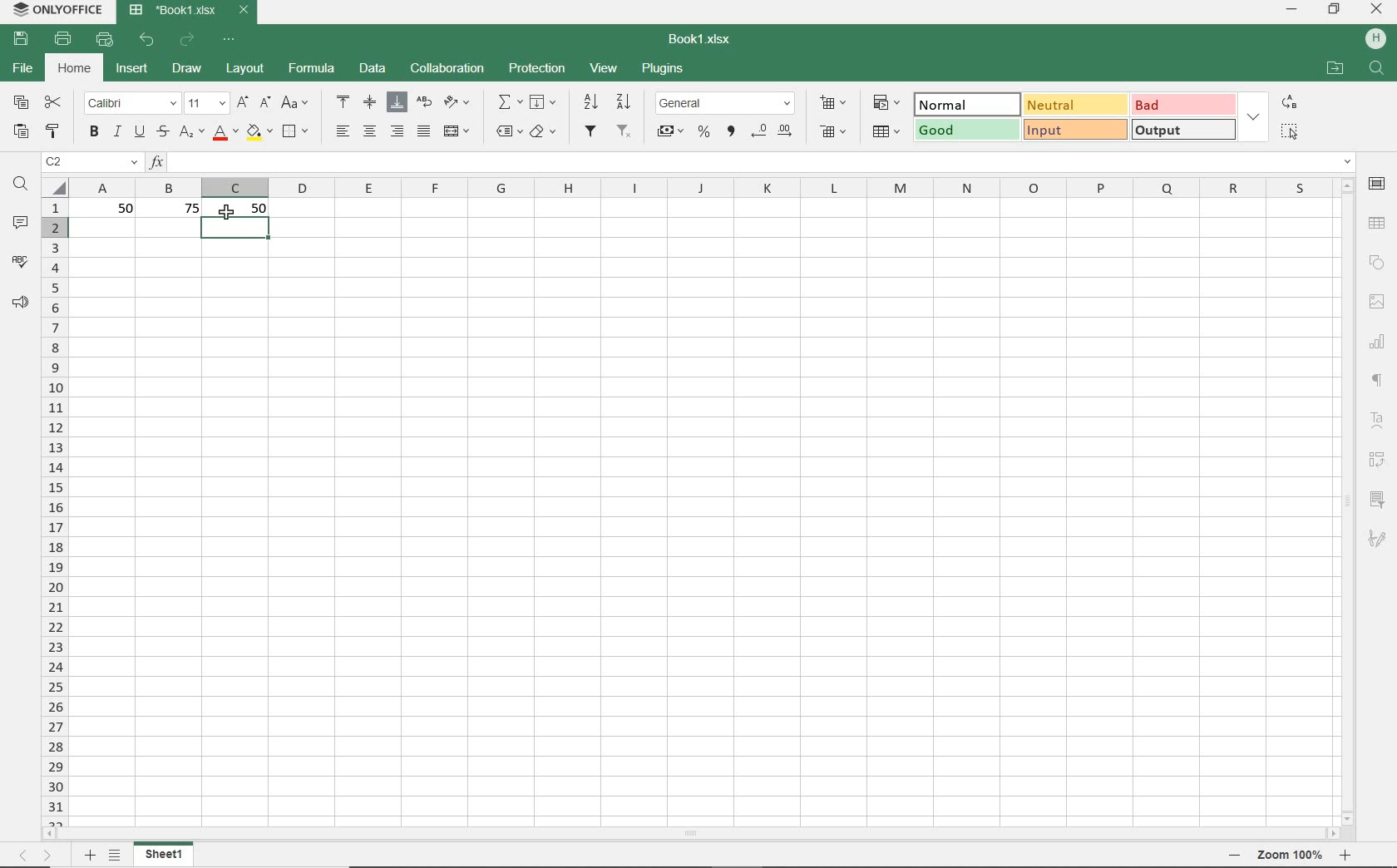  Describe the element at coordinates (1373, 37) in the screenshot. I see `HP` at that location.